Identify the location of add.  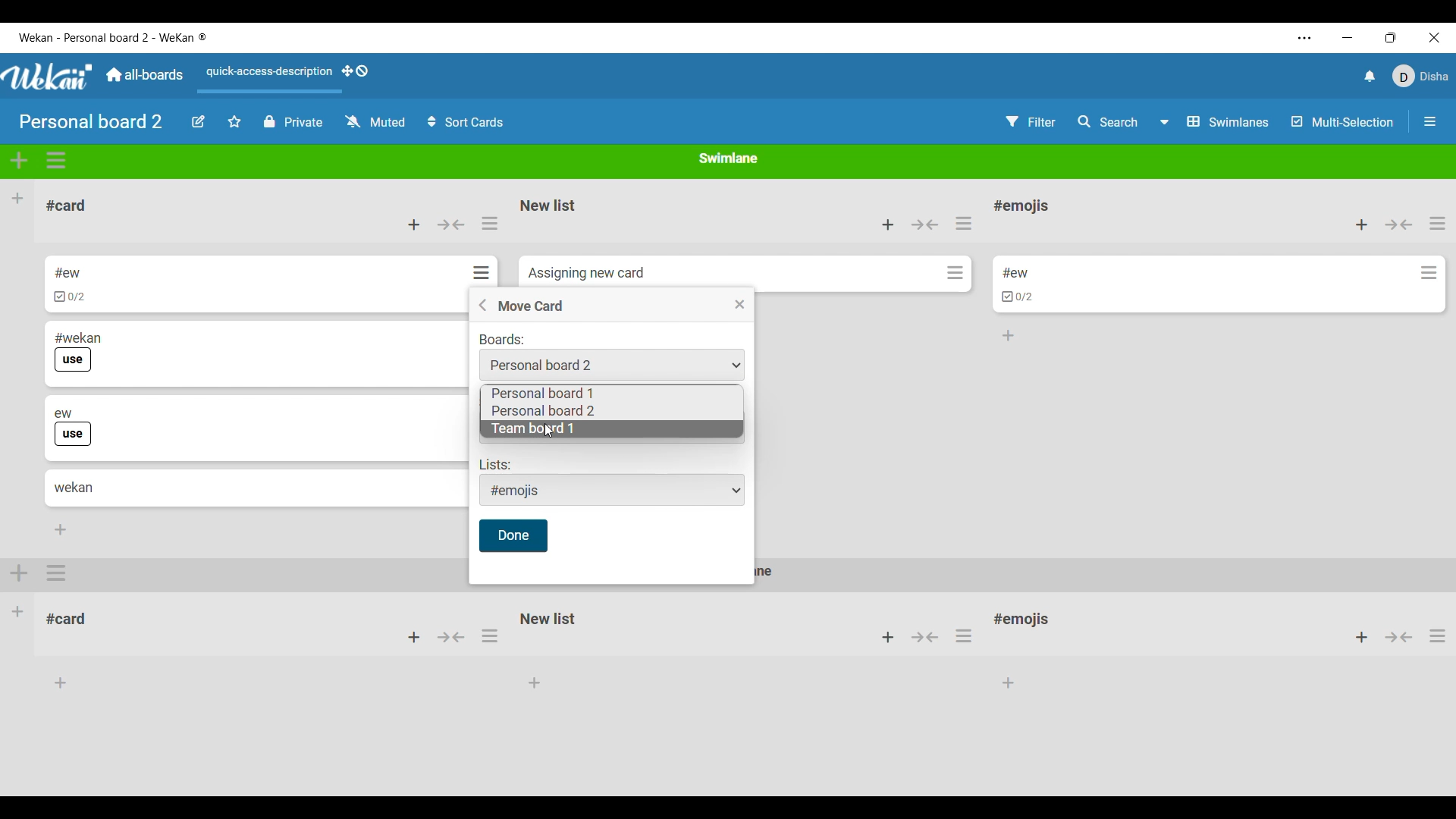
(884, 638).